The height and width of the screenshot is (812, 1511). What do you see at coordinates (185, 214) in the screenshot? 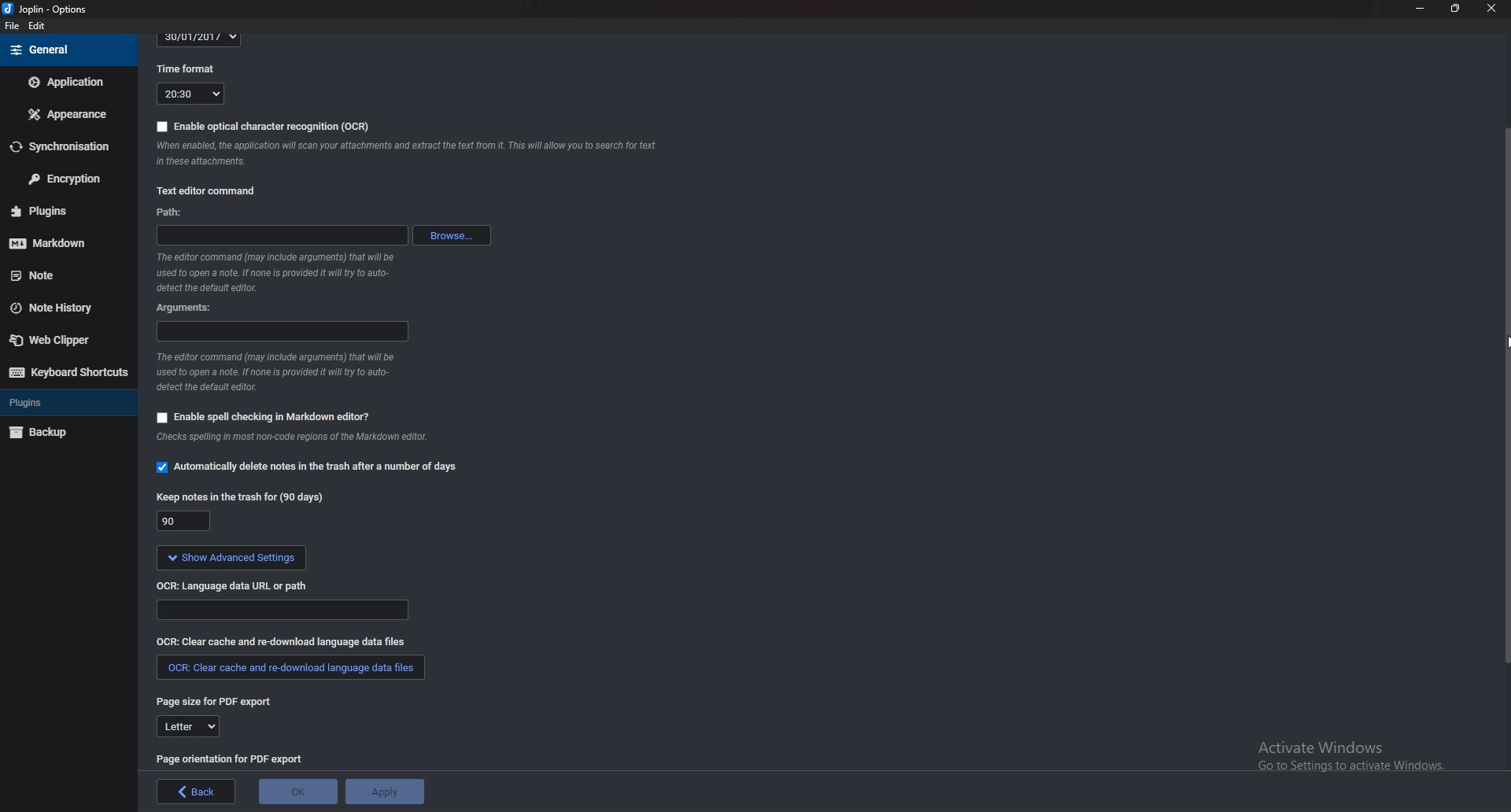
I see `path` at bounding box center [185, 214].